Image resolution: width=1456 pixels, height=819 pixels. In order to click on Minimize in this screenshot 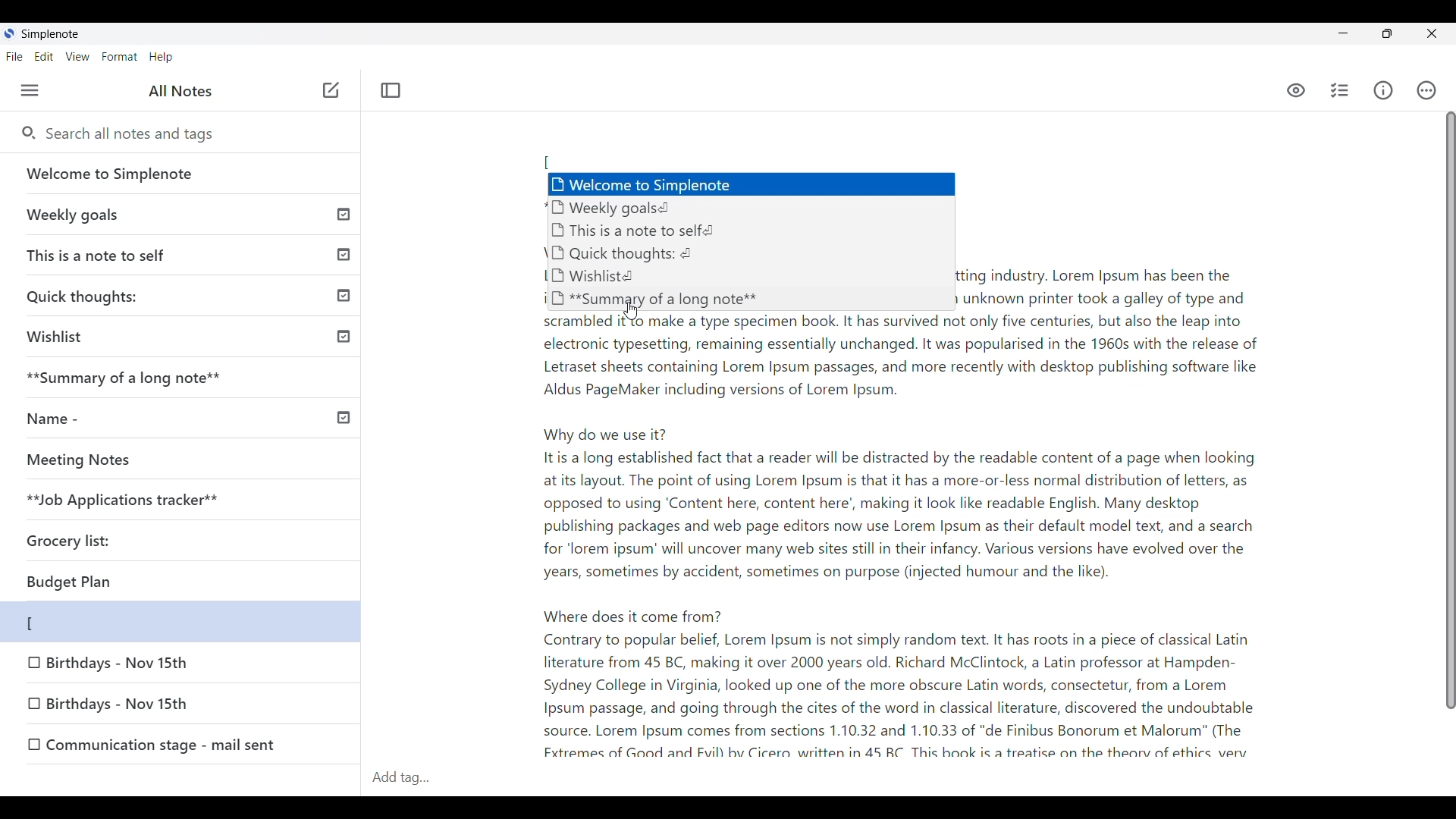, I will do `click(1344, 33)`.